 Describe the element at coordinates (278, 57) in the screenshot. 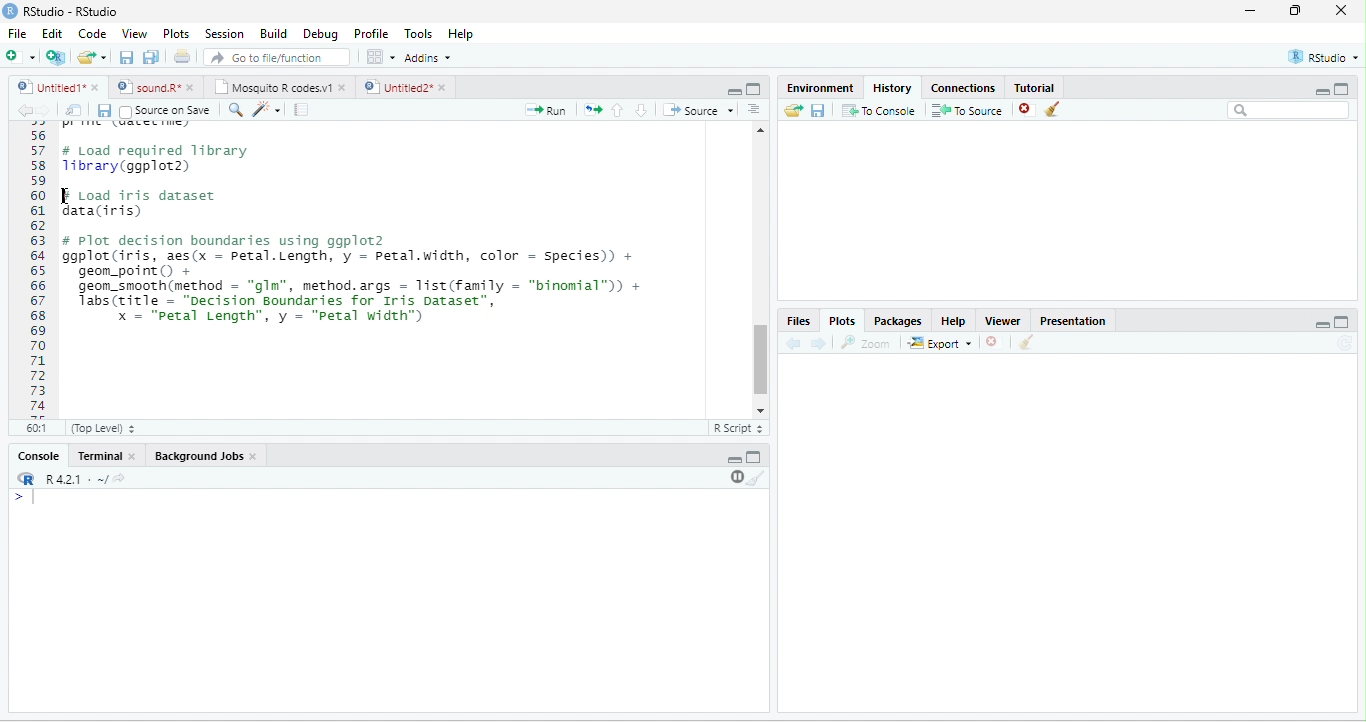

I see `search file` at that location.